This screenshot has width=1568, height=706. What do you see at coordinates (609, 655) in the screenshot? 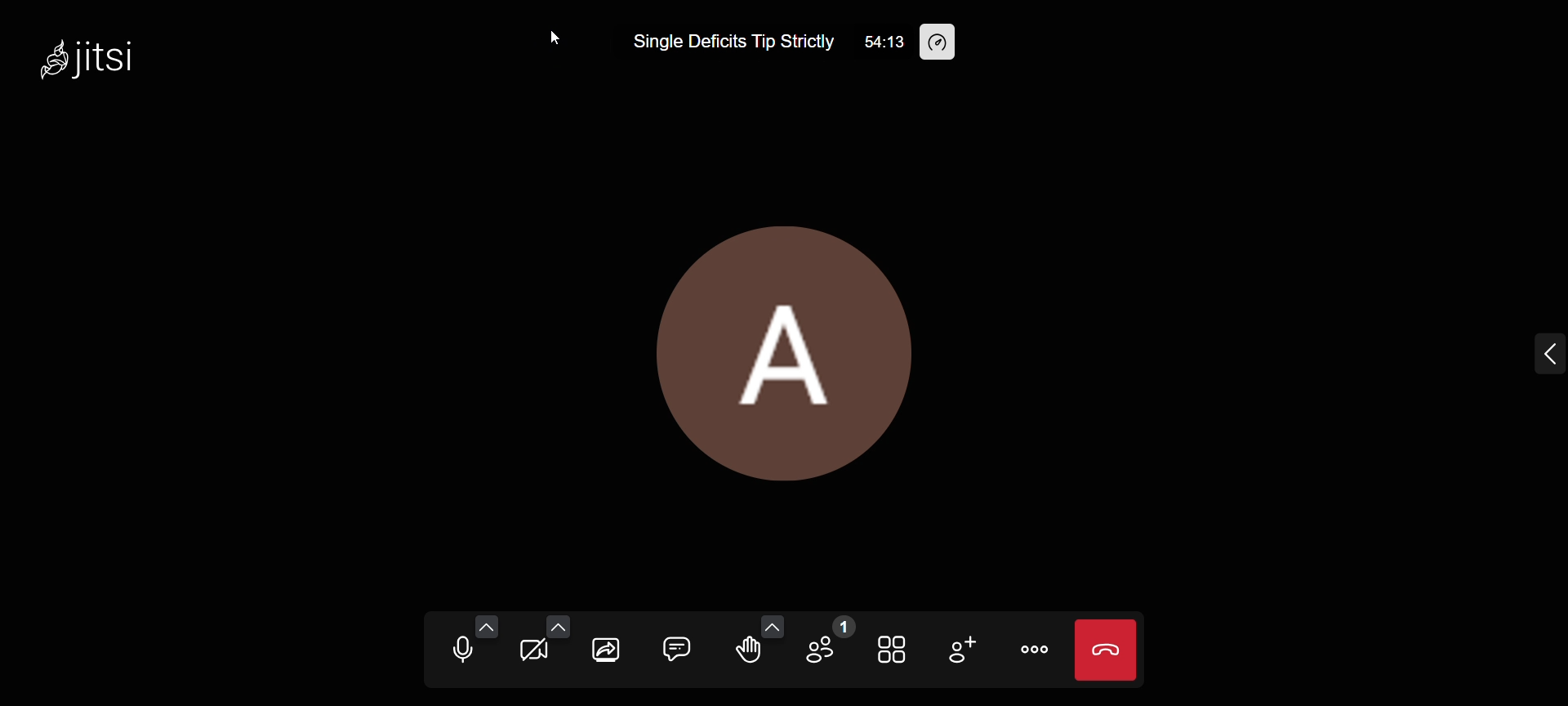
I see `screen share` at bounding box center [609, 655].